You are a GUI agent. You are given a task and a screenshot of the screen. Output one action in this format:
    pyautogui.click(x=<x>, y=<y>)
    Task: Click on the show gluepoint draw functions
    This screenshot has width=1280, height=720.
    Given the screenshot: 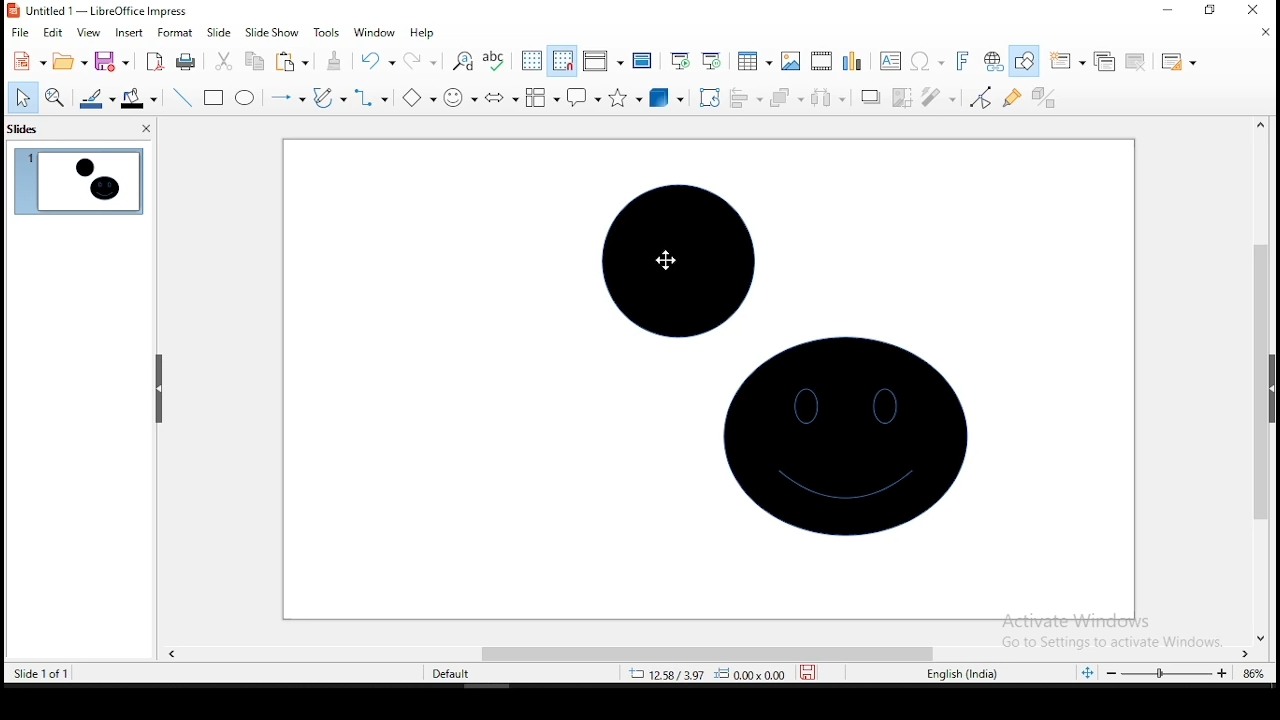 What is the action you would take?
    pyautogui.click(x=1014, y=97)
    